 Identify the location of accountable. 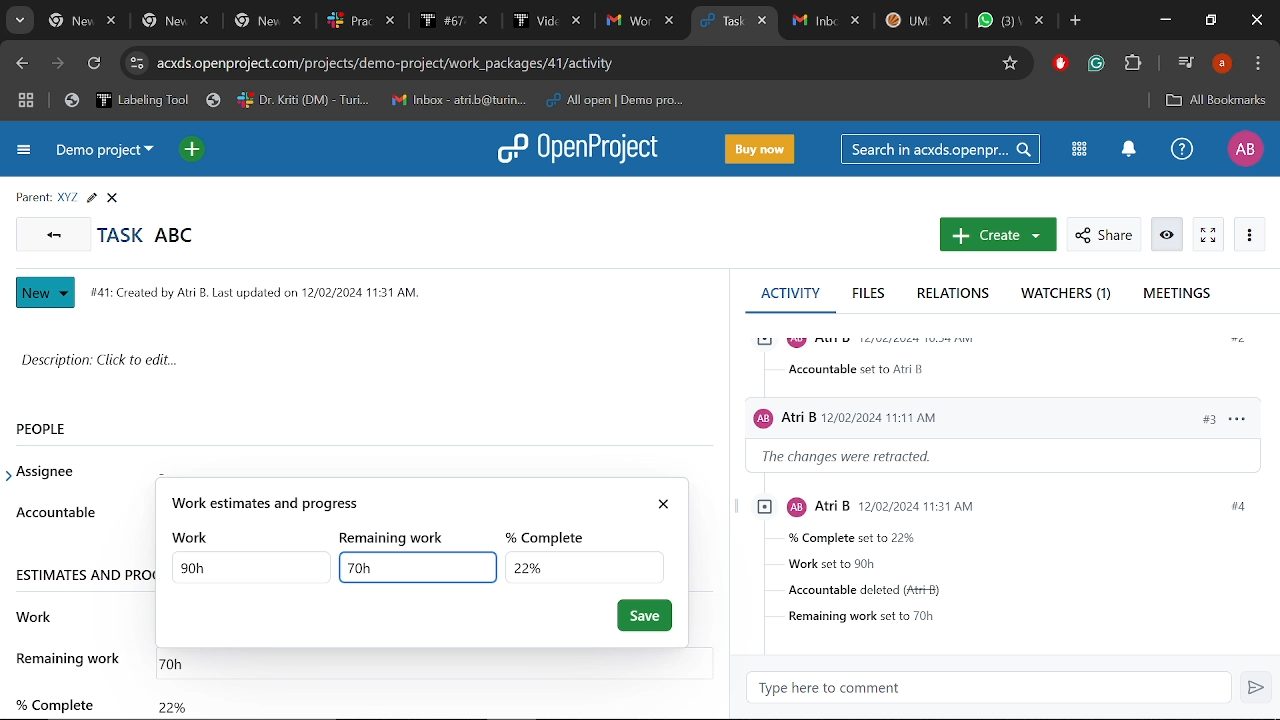
(860, 369).